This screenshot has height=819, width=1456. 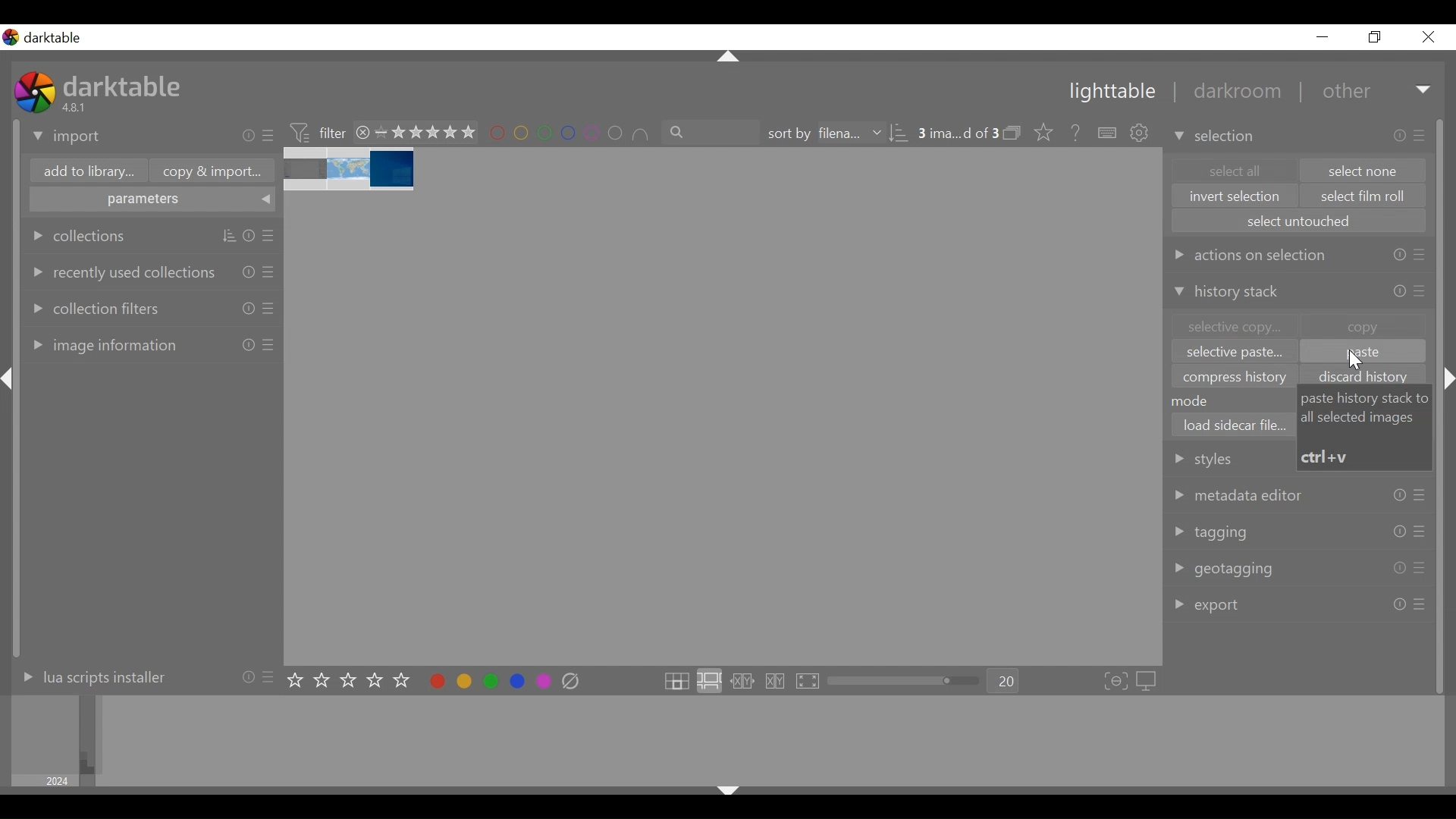 What do you see at coordinates (1398, 569) in the screenshot?
I see `info` at bounding box center [1398, 569].